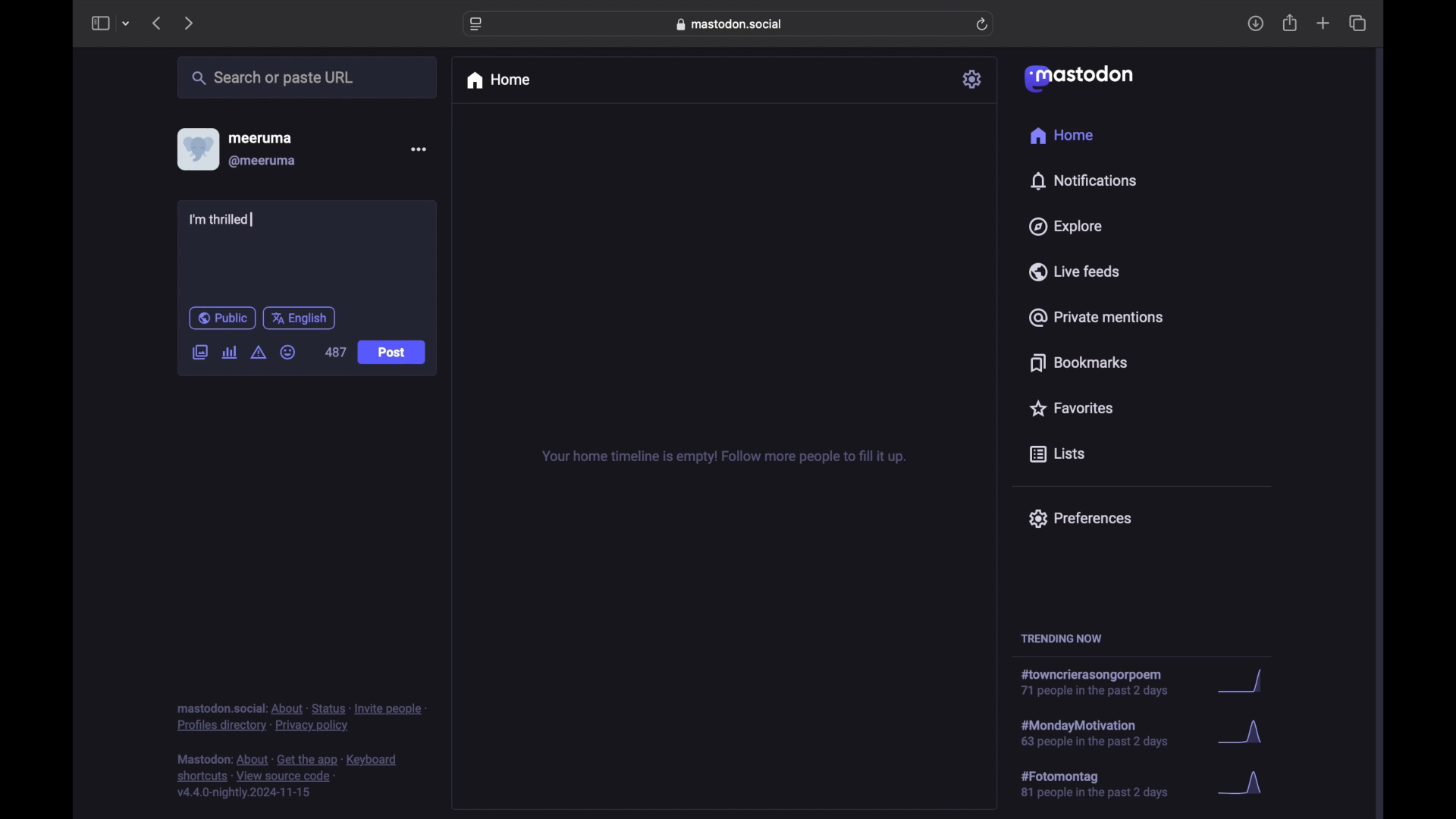  What do you see at coordinates (418, 149) in the screenshot?
I see `more options` at bounding box center [418, 149].